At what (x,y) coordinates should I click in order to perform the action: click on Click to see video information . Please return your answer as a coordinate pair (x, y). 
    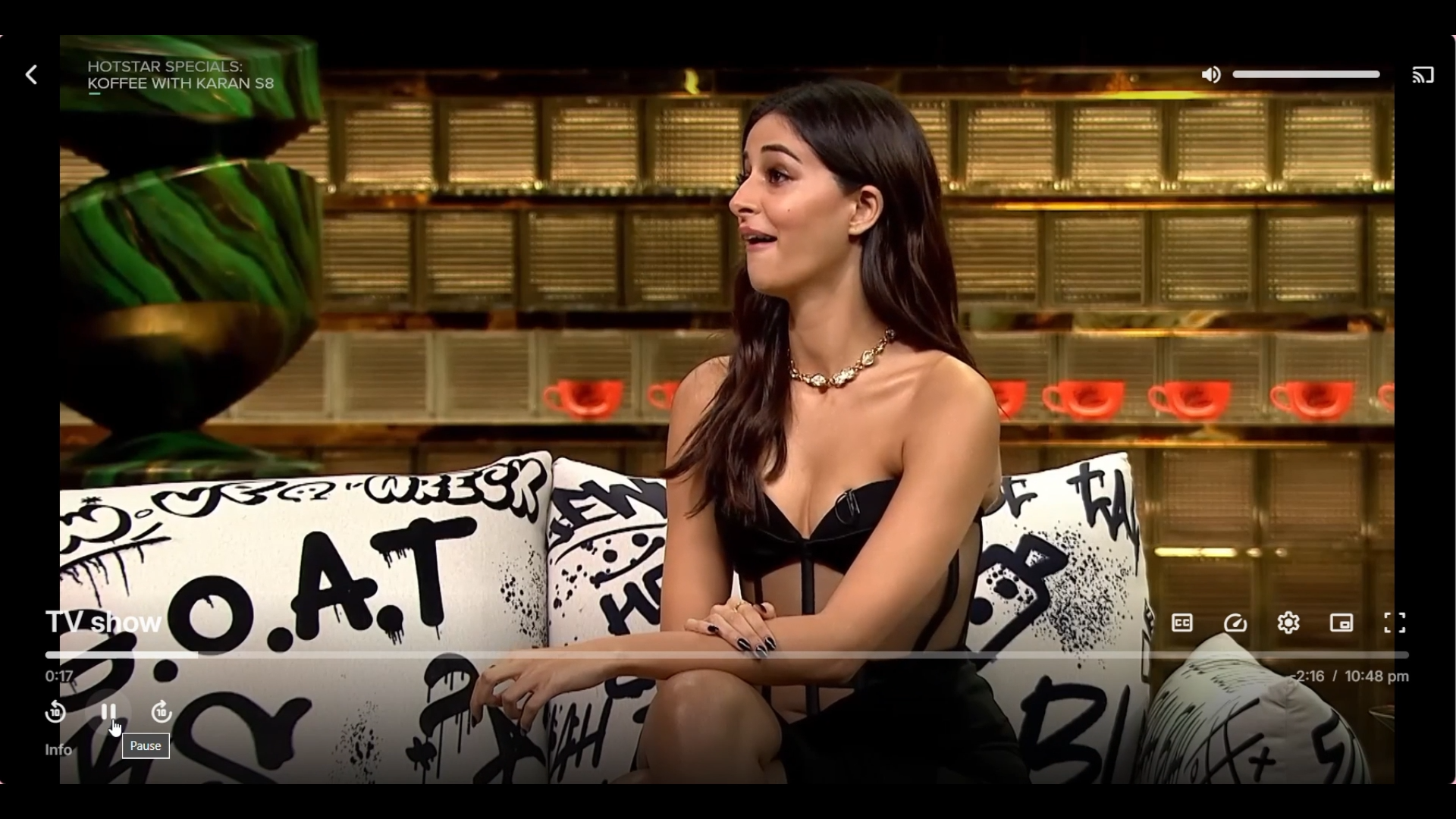
    Looking at the image, I should click on (59, 750).